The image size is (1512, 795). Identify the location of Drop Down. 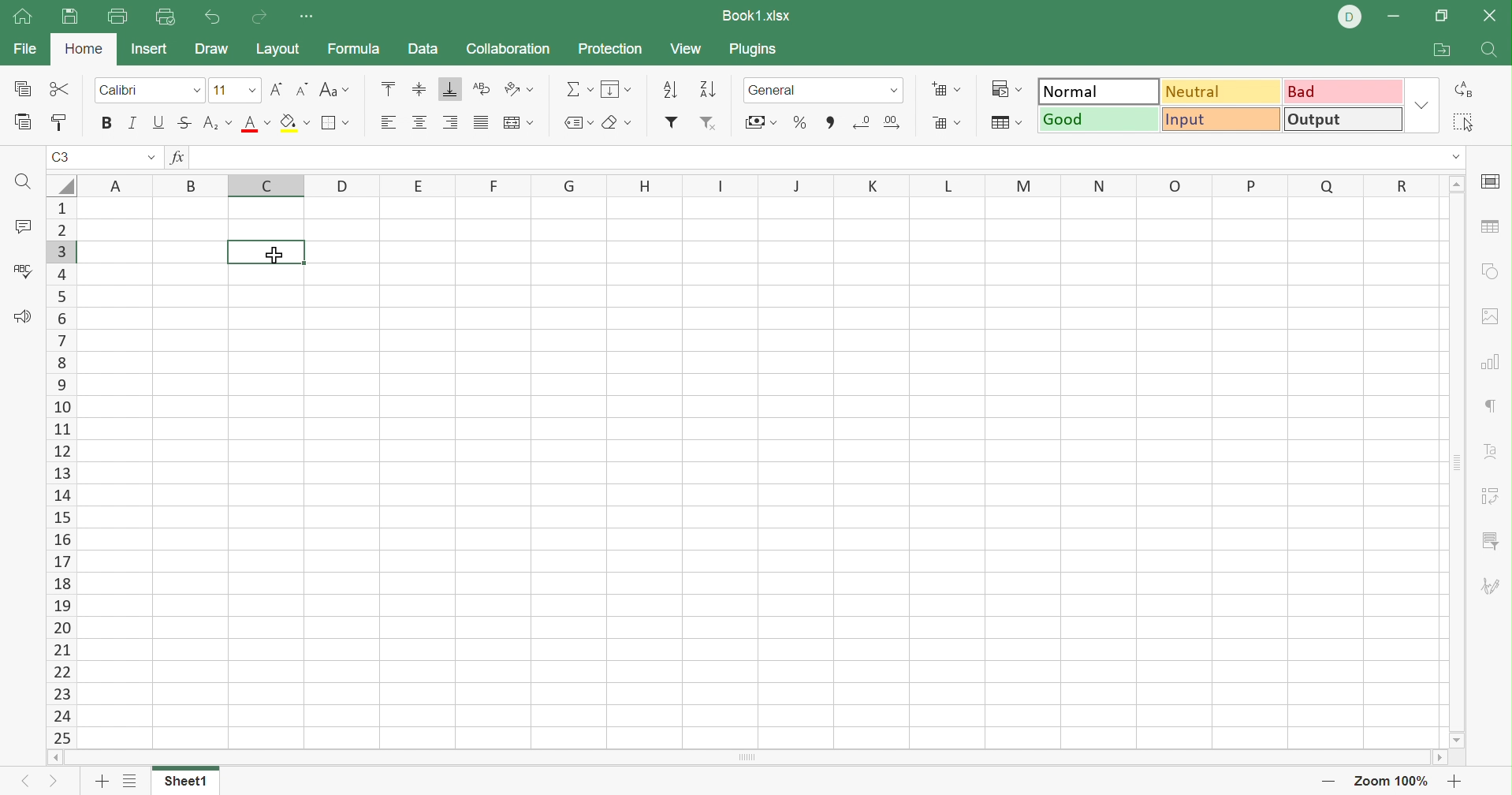
(897, 93).